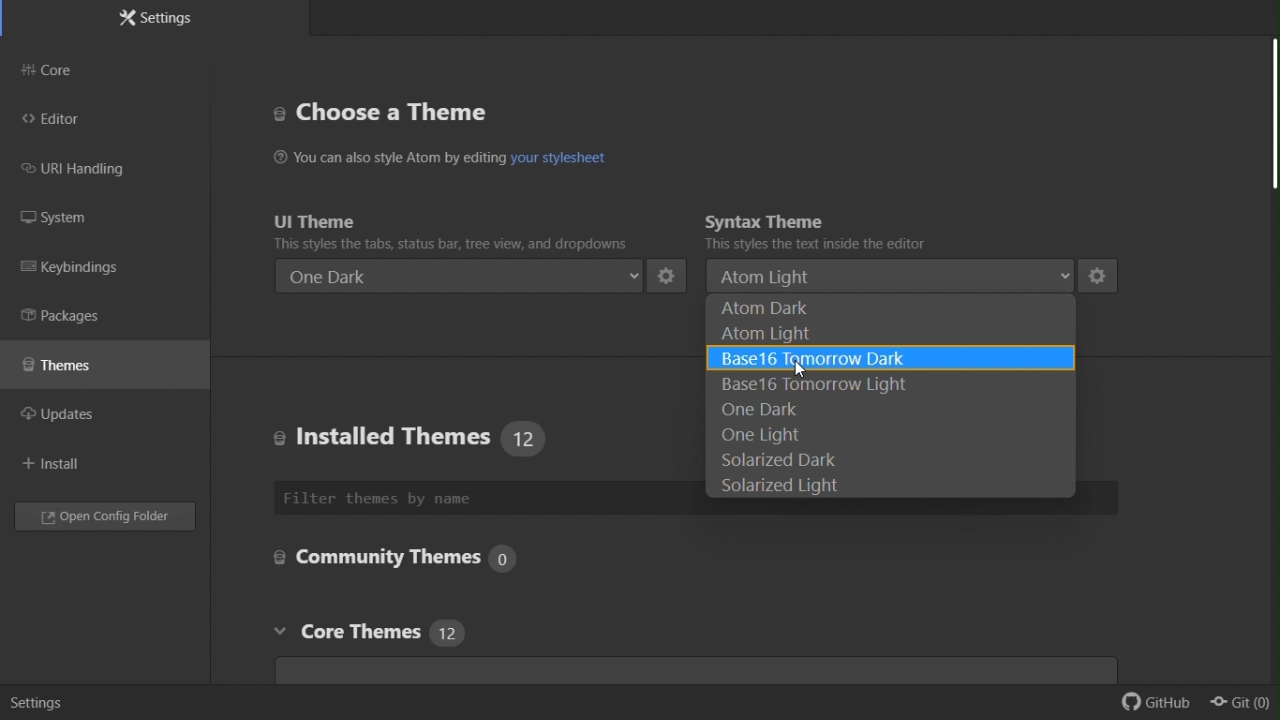 This screenshot has width=1280, height=720. Describe the element at coordinates (889, 484) in the screenshot. I see `solarized light` at that location.